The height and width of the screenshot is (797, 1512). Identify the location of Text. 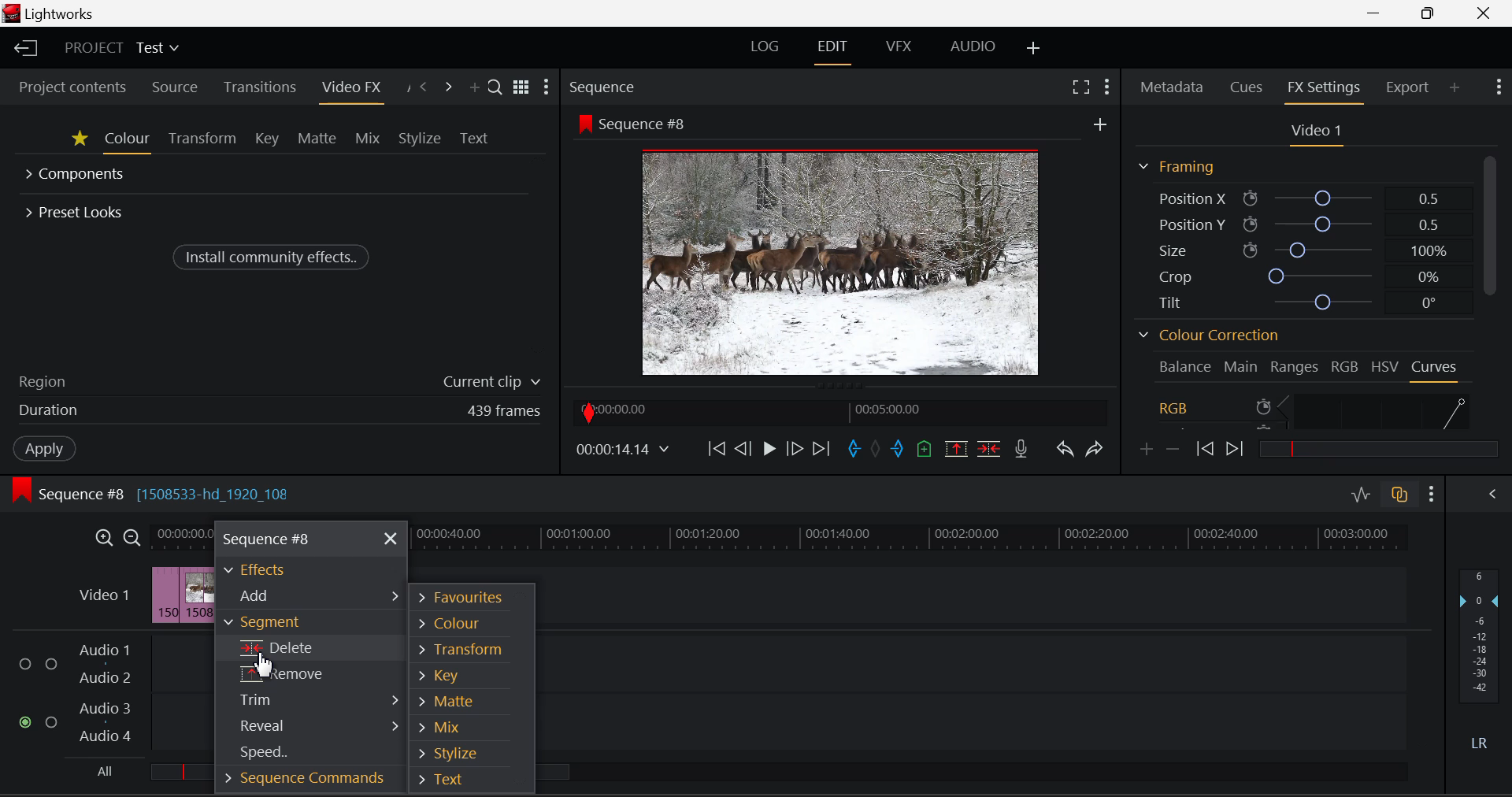
(443, 782).